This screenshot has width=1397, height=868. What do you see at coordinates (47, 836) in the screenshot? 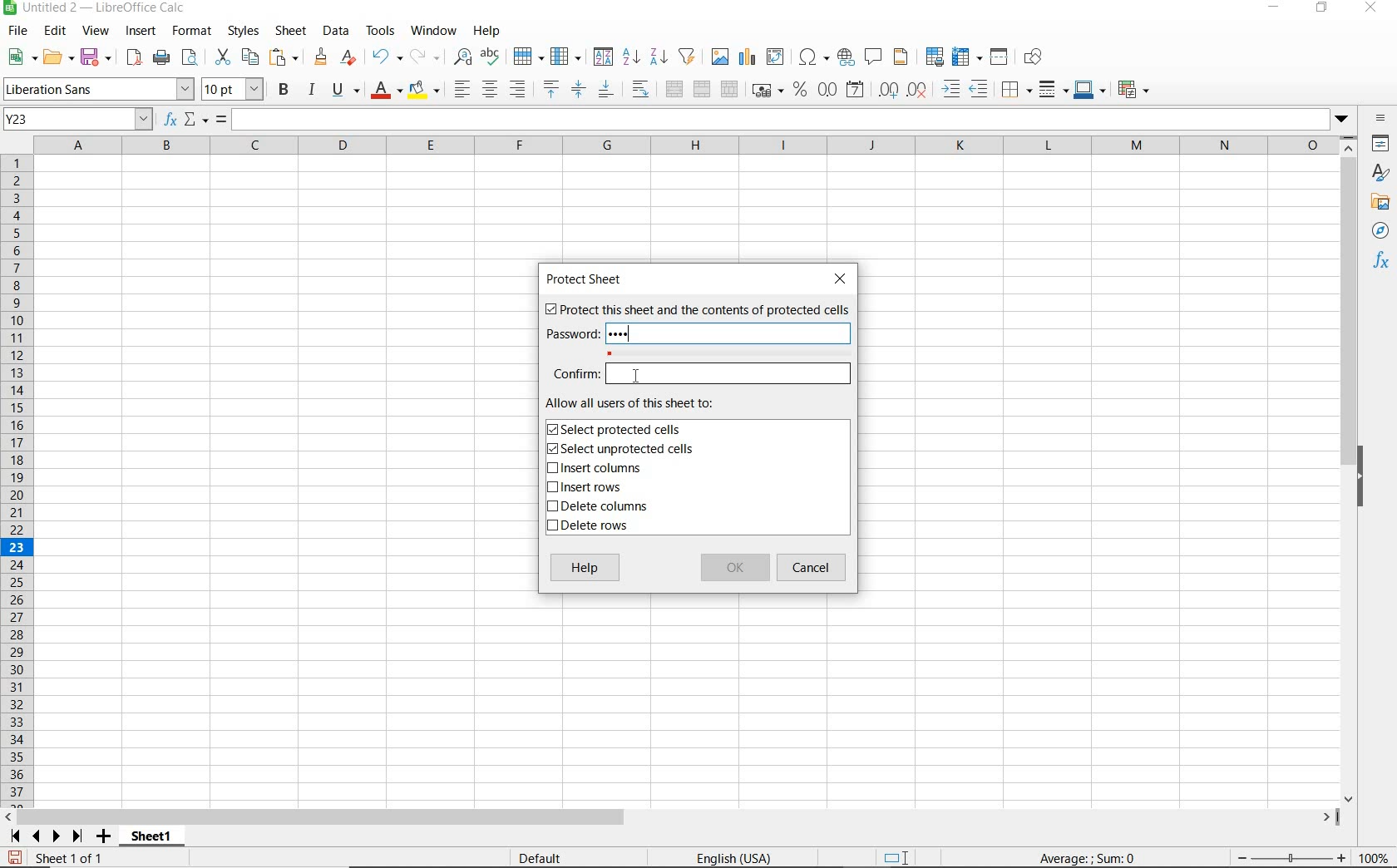
I see `SCROLL TO NEXT SHEET` at bounding box center [47, 836].